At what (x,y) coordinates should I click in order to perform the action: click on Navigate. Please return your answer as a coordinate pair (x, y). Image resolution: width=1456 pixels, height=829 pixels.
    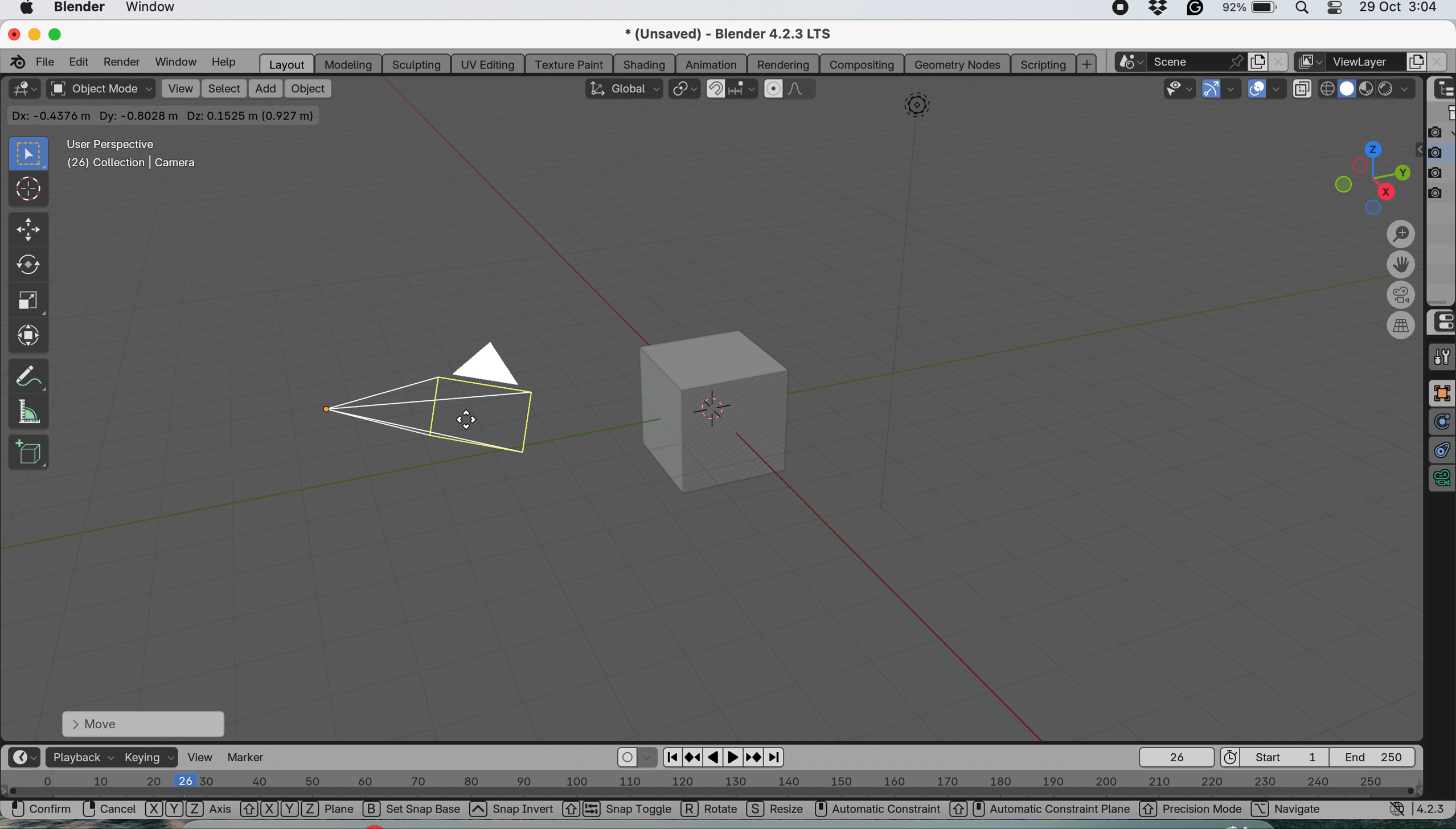
    Looking at the image, I should click on (1300, 810).